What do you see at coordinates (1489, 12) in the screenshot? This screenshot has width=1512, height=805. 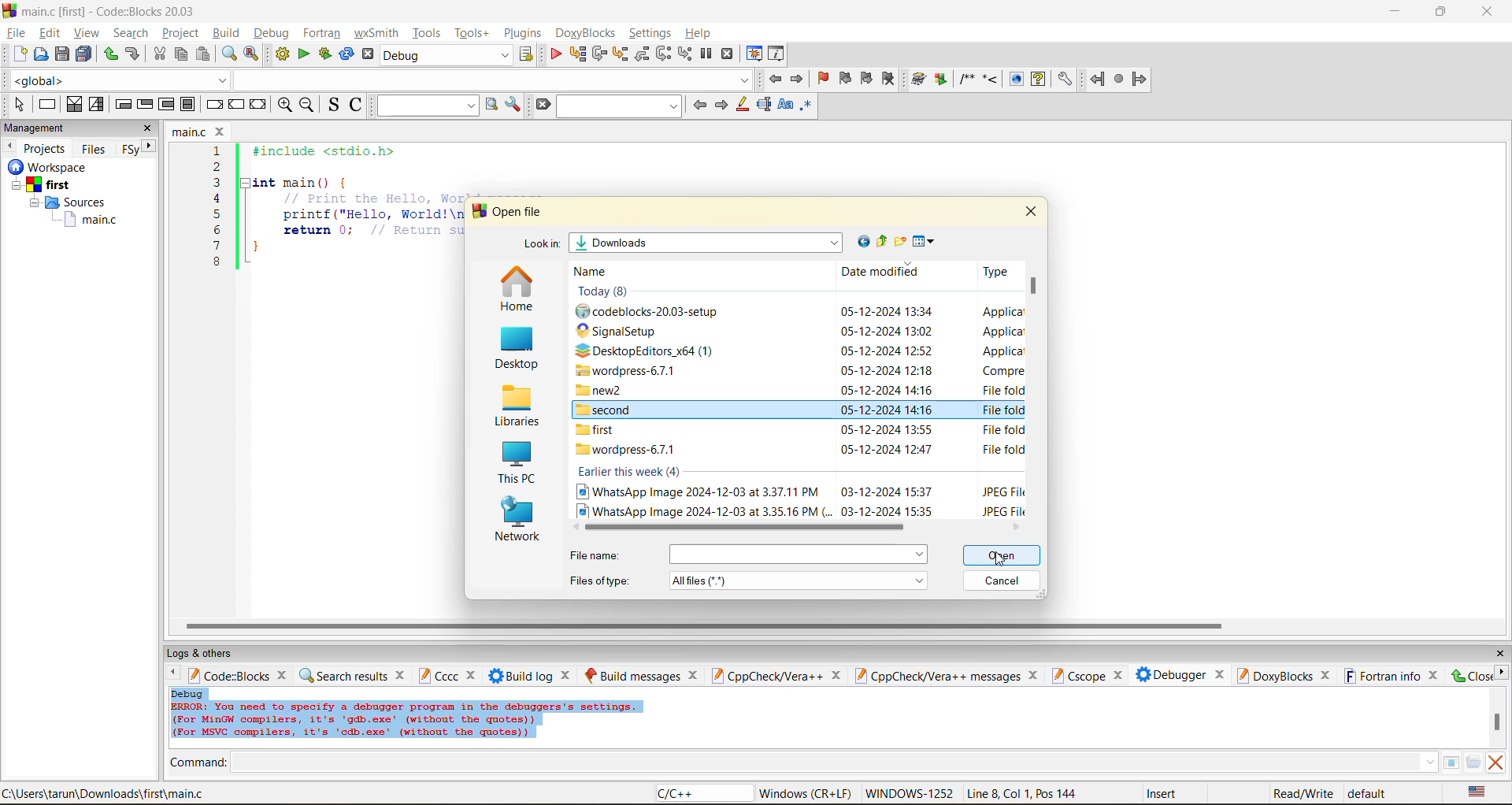 I see `close ` at bounding box center [1489, 12].